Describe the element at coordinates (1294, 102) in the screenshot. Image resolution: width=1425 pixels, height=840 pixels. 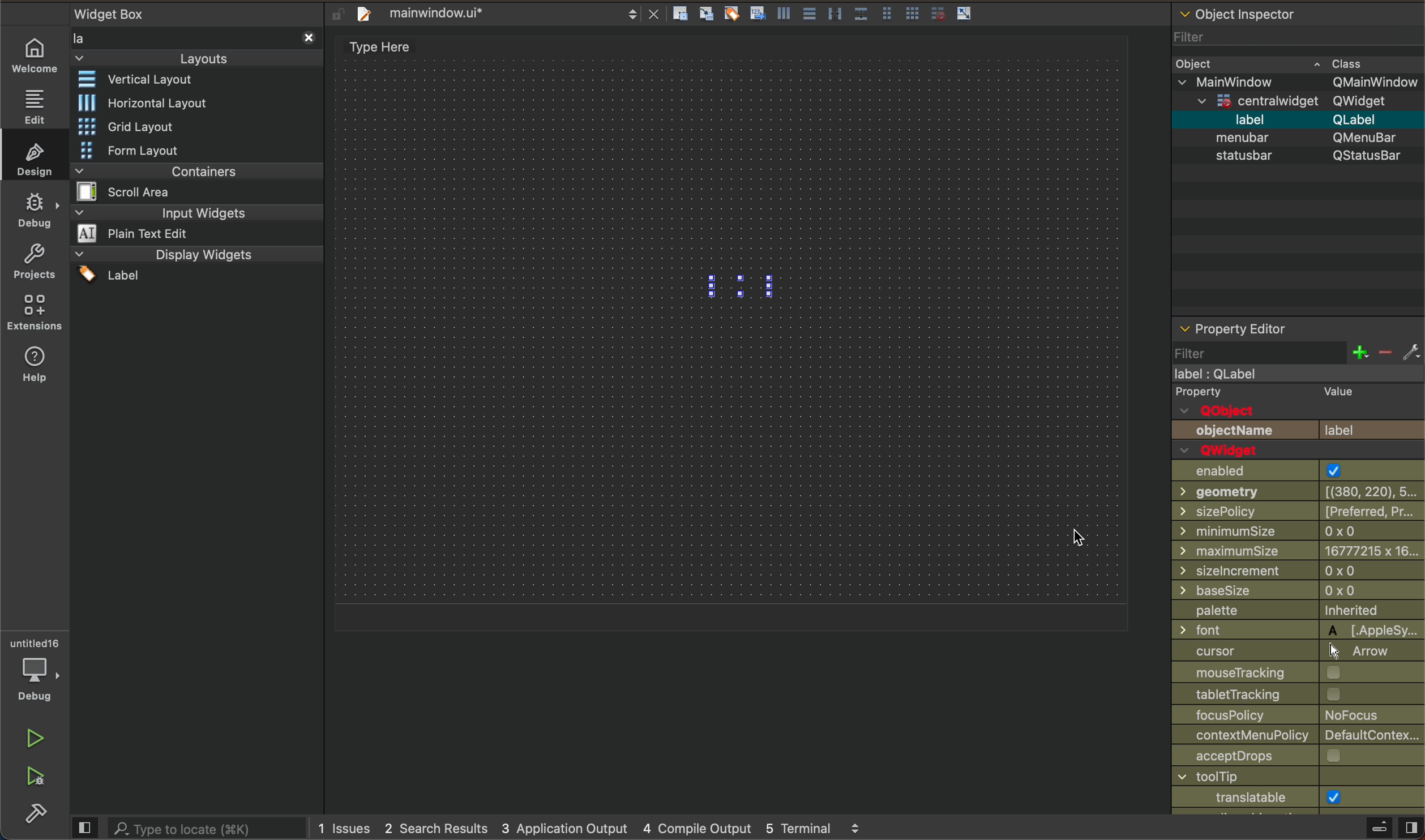
I see `qwidget` at that location.